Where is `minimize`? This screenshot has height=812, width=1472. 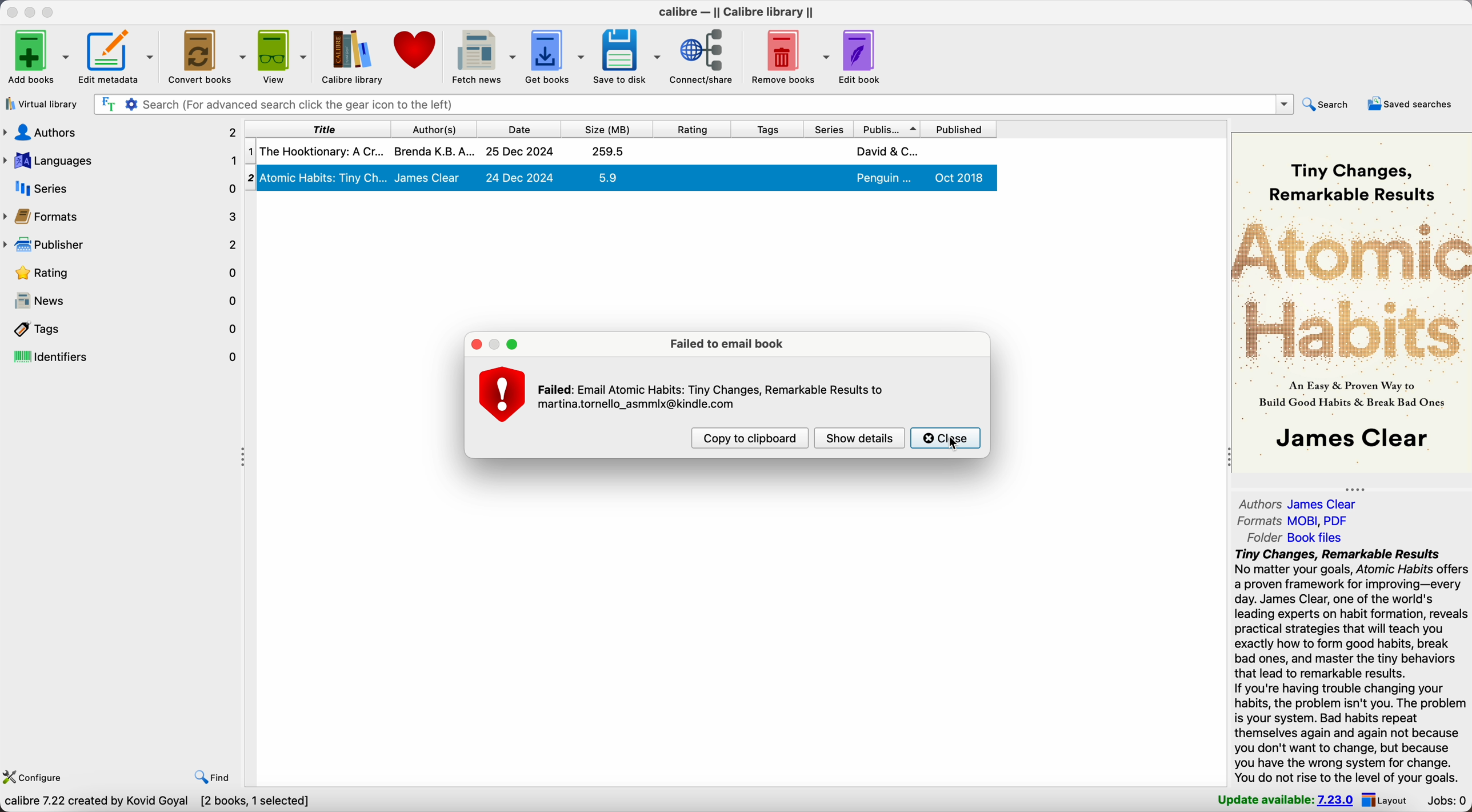
minimize is located at coordinates (30, 11).